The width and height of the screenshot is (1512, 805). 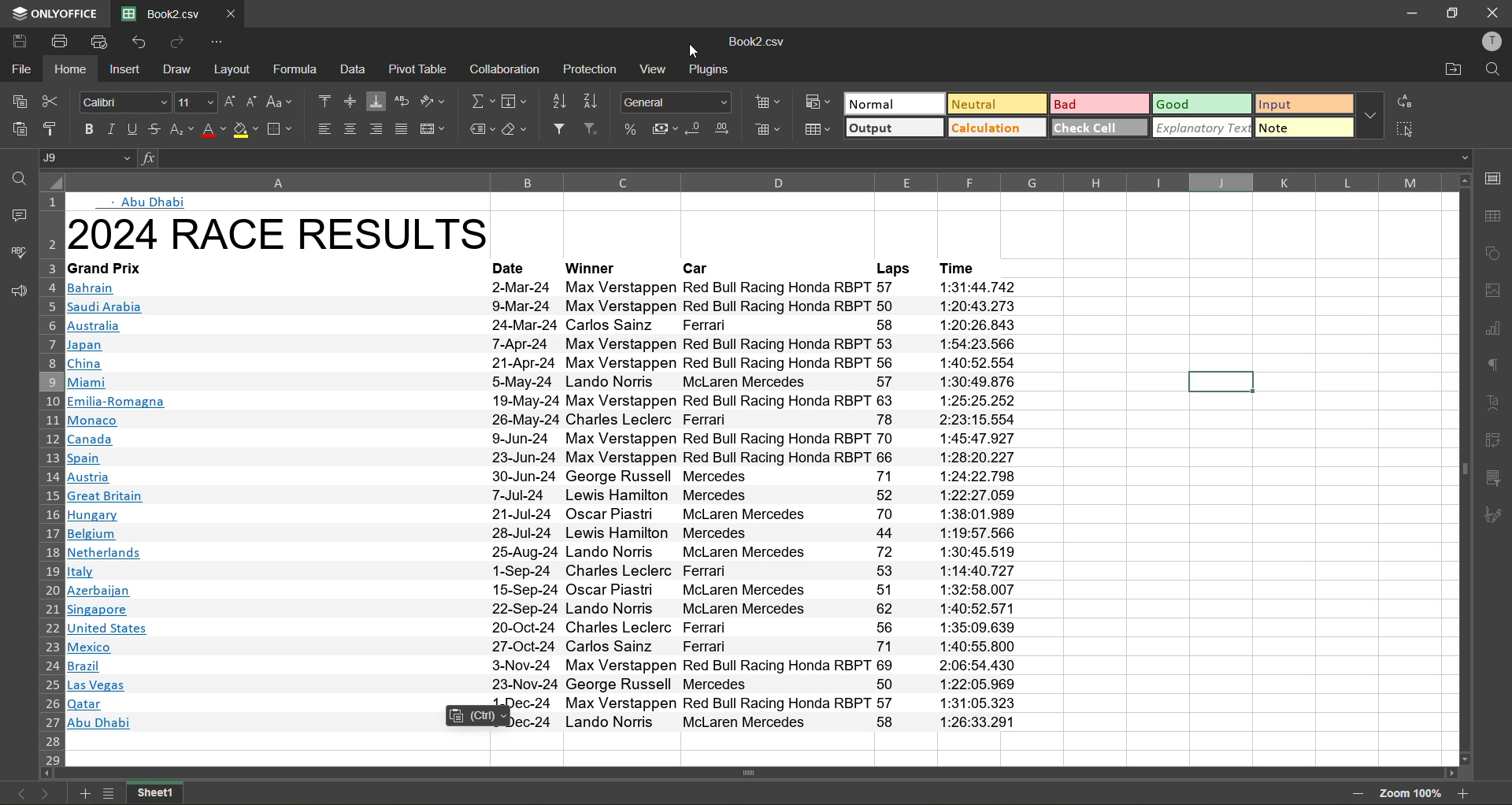 What do you see at coordinates (86, 127) in the screenshot?
I see `bold` at bounding box center [86, 127].